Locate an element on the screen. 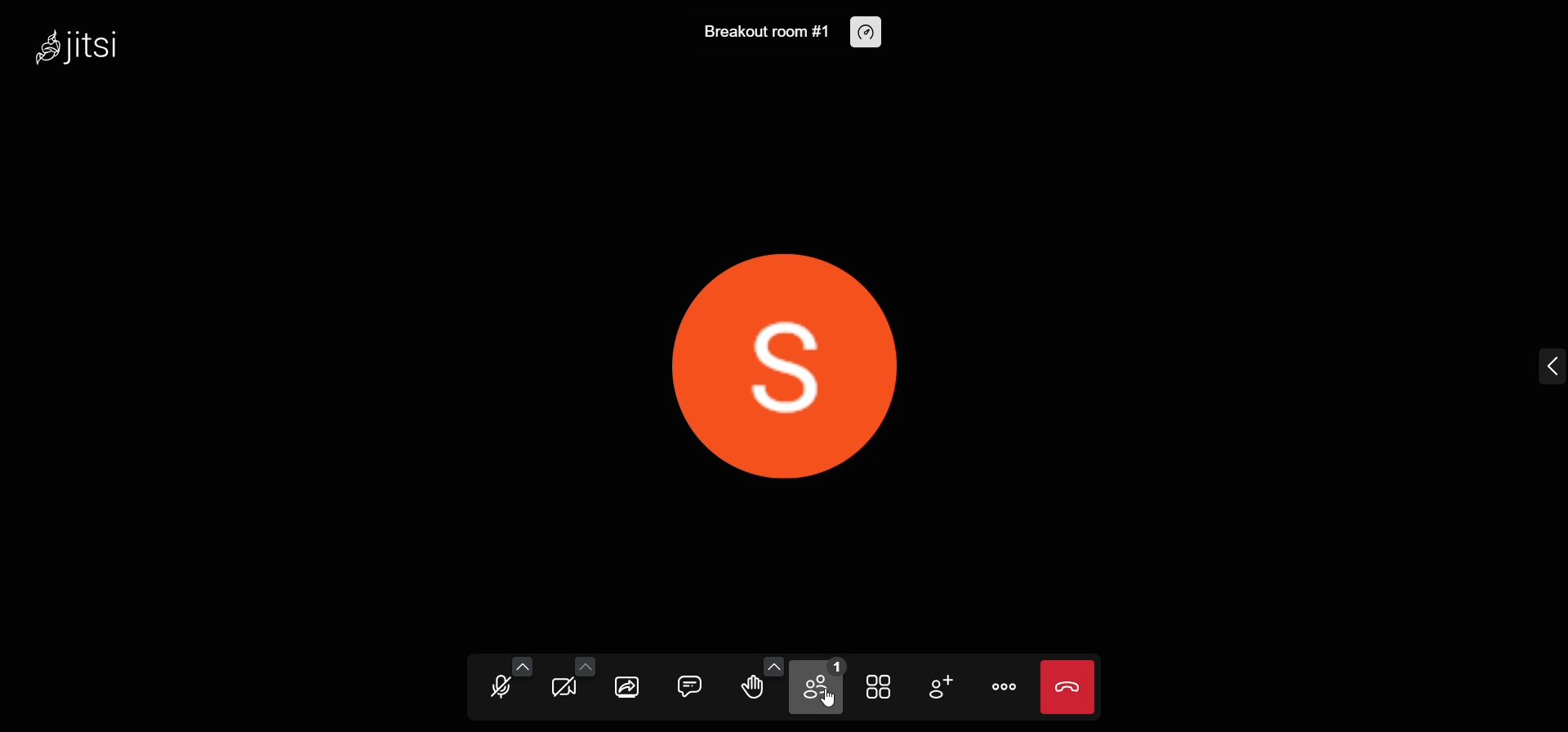  leave call is located at coordinates (1067, 688).